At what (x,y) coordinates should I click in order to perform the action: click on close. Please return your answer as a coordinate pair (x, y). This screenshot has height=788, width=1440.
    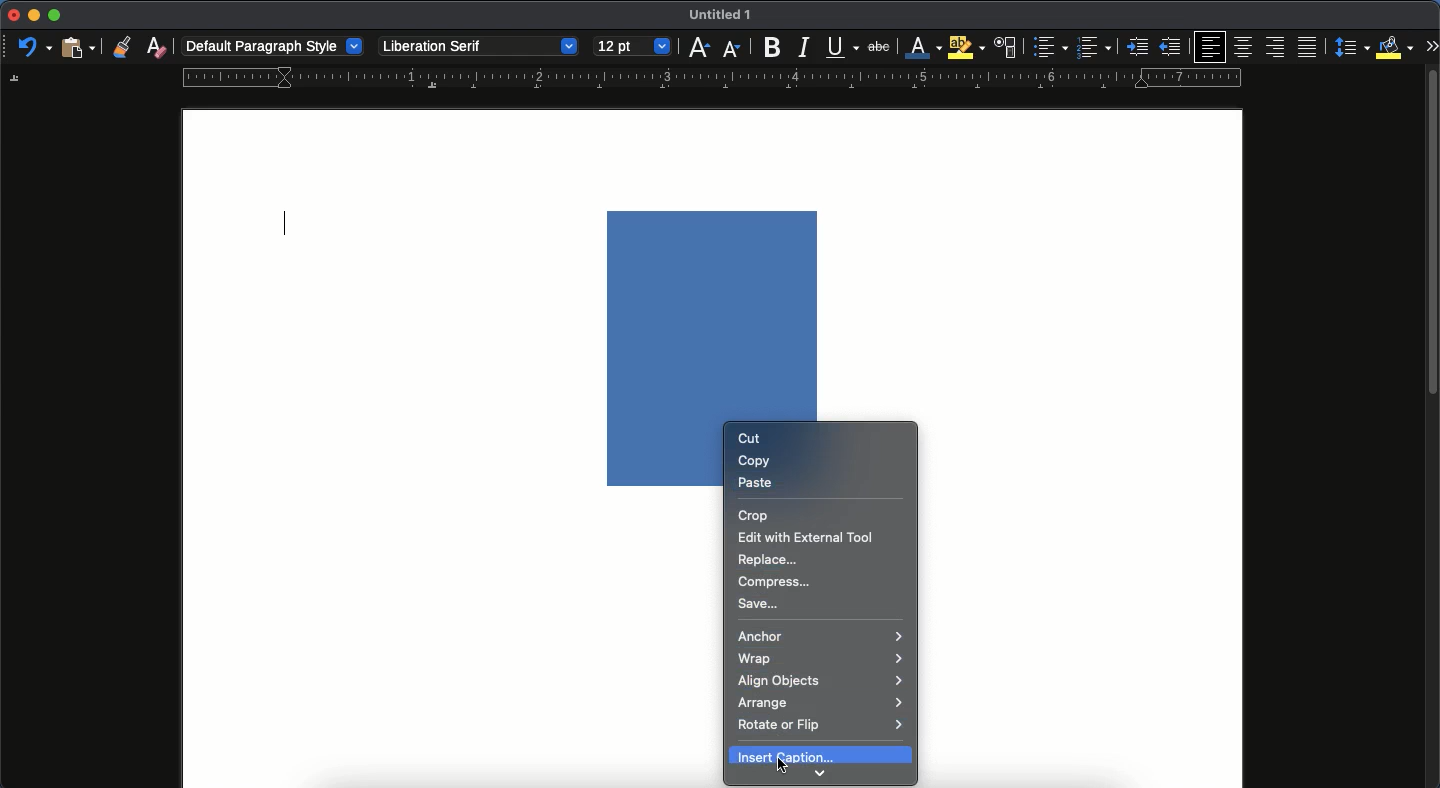
    Looking at the image, I should click on (12, 16).